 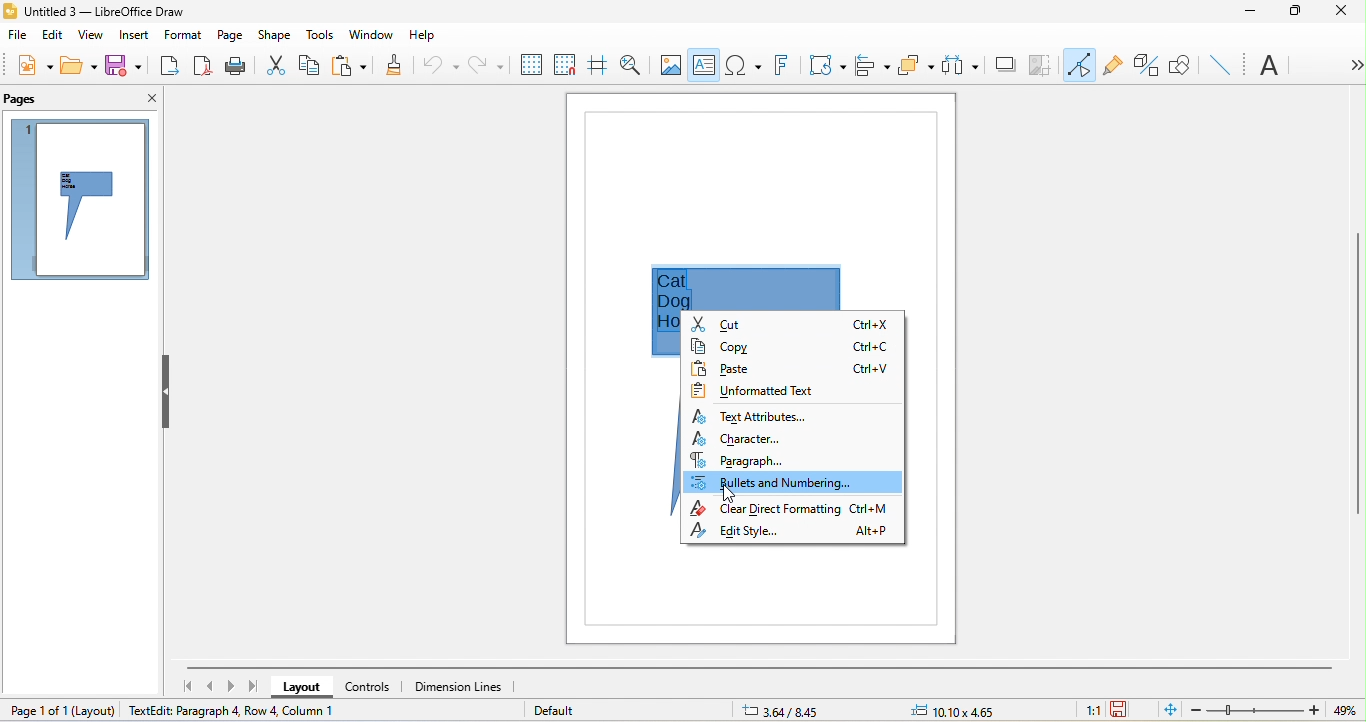 I want to click on next page, so click(x=229, y=685).